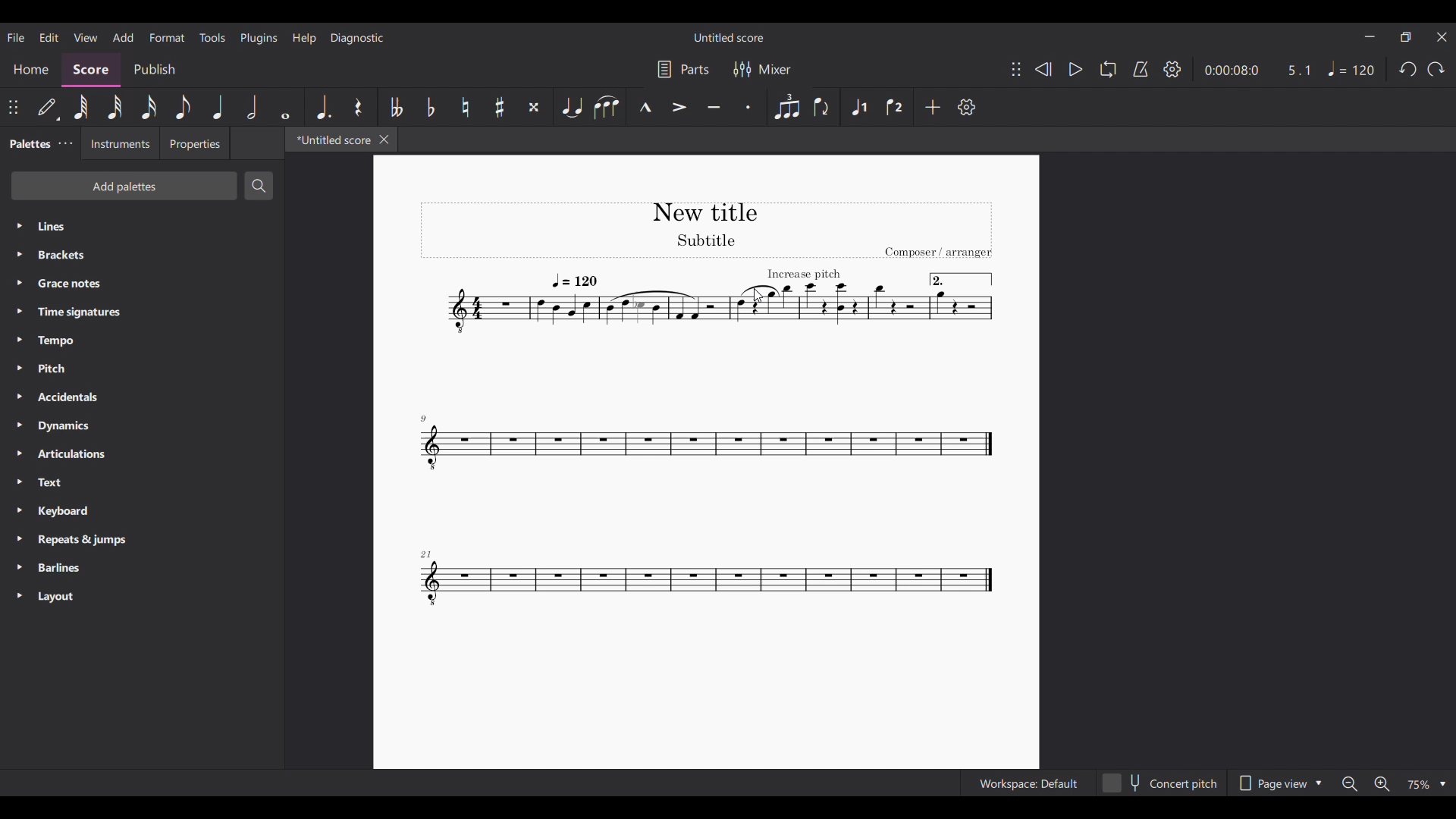 The width and height of the screenshot is (1456, 819). What do you see at coordinates (305, 39) in the screenshot?
I see `Help menu` at bounding box center [305, 39].